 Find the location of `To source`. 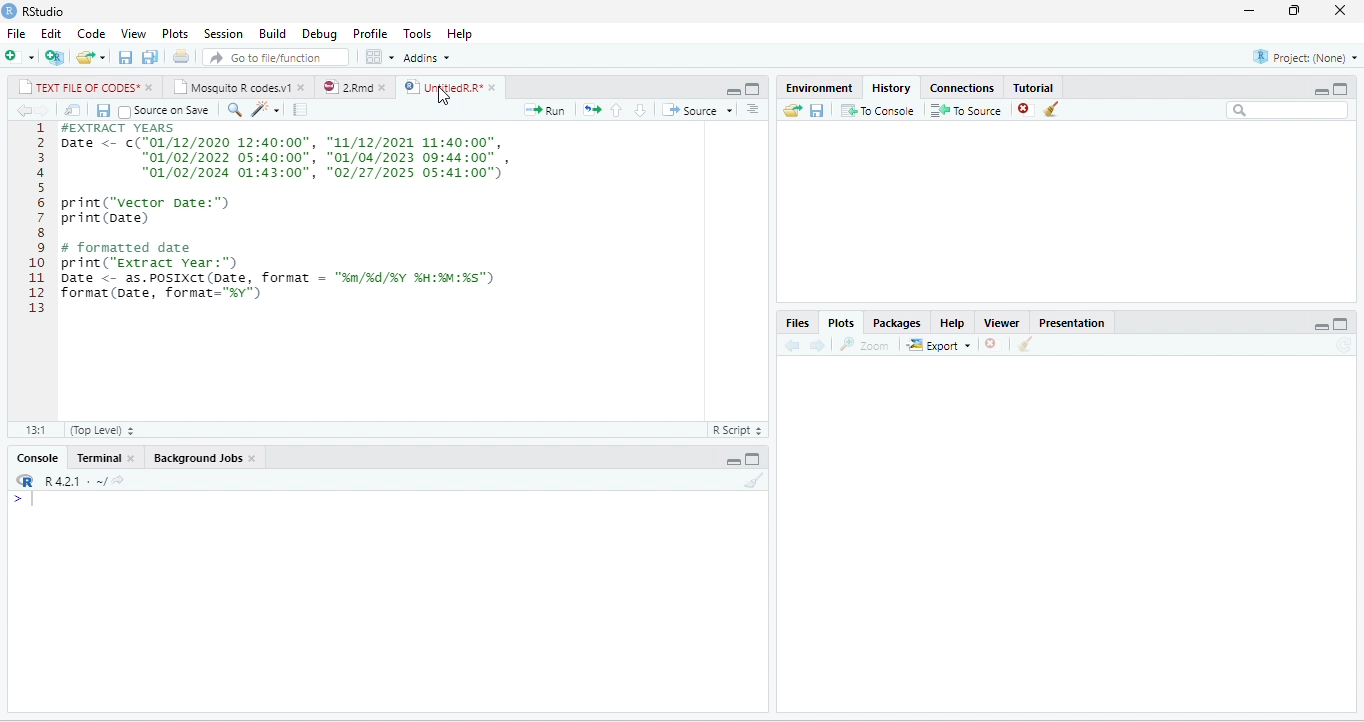

To source is located at coordinates (964, 109).